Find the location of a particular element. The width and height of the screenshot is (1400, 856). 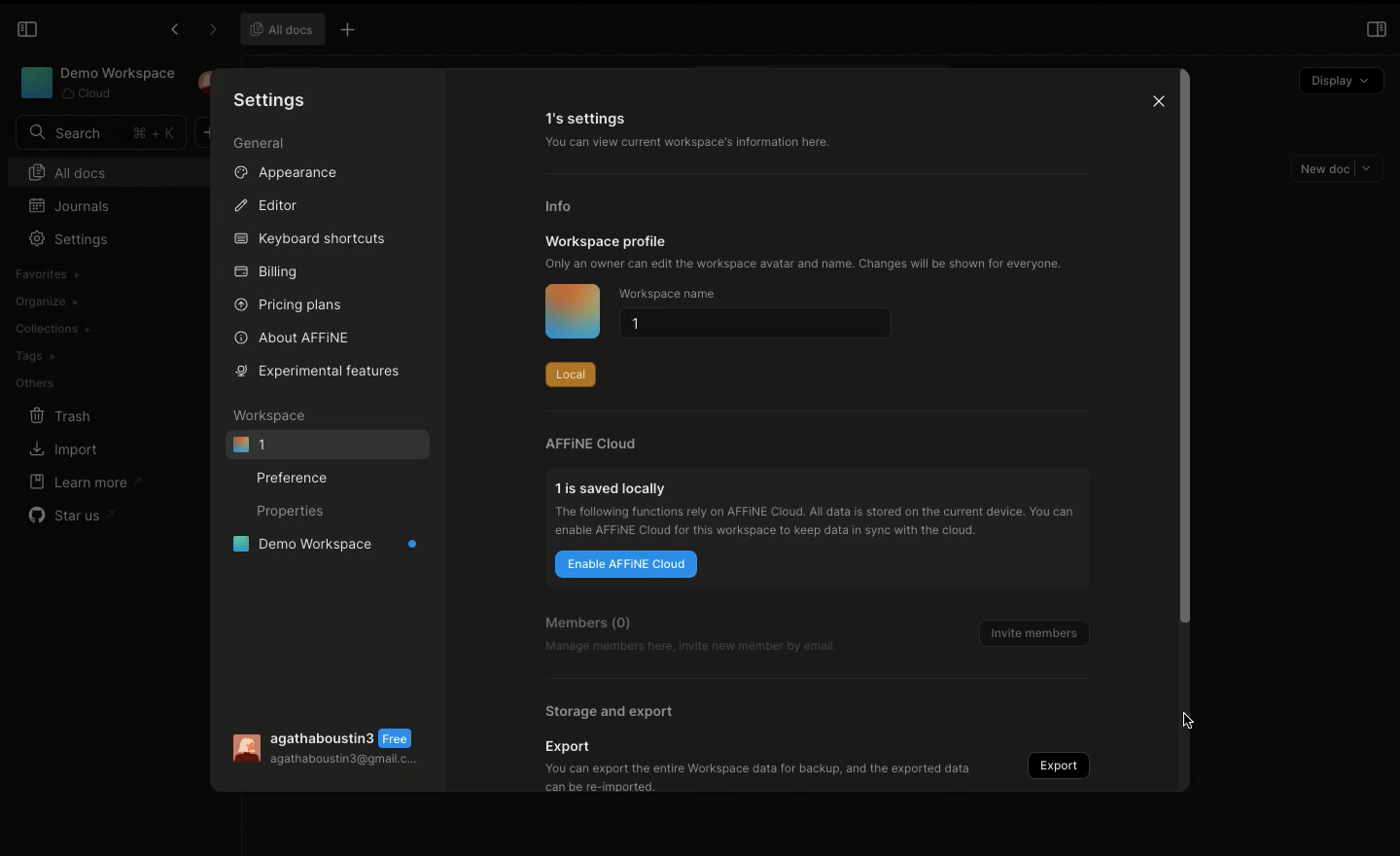

1 is saved locally is located at coordinates (612, 487).